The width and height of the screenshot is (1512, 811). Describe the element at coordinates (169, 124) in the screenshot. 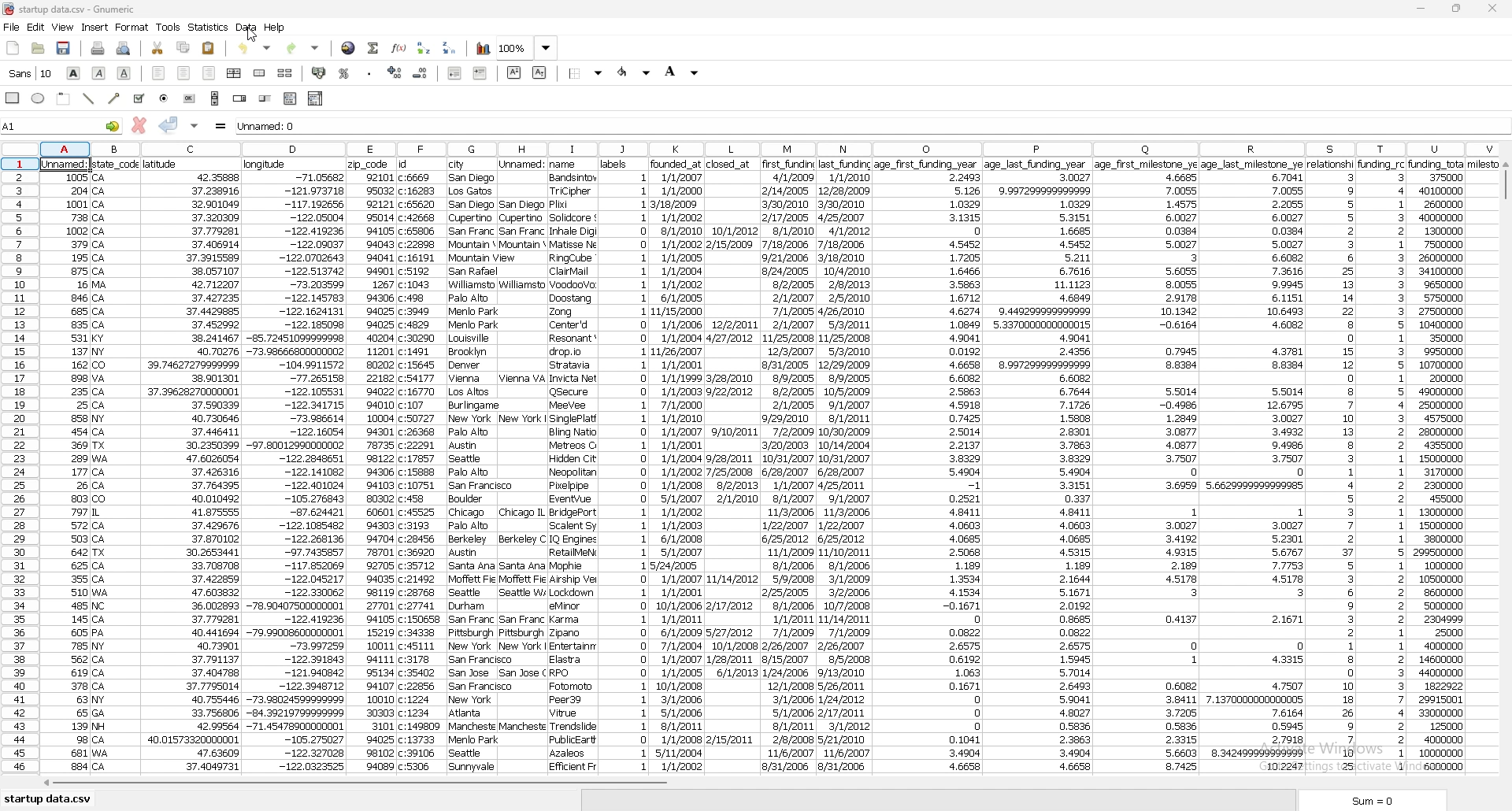

I see `accept changes` at that location.